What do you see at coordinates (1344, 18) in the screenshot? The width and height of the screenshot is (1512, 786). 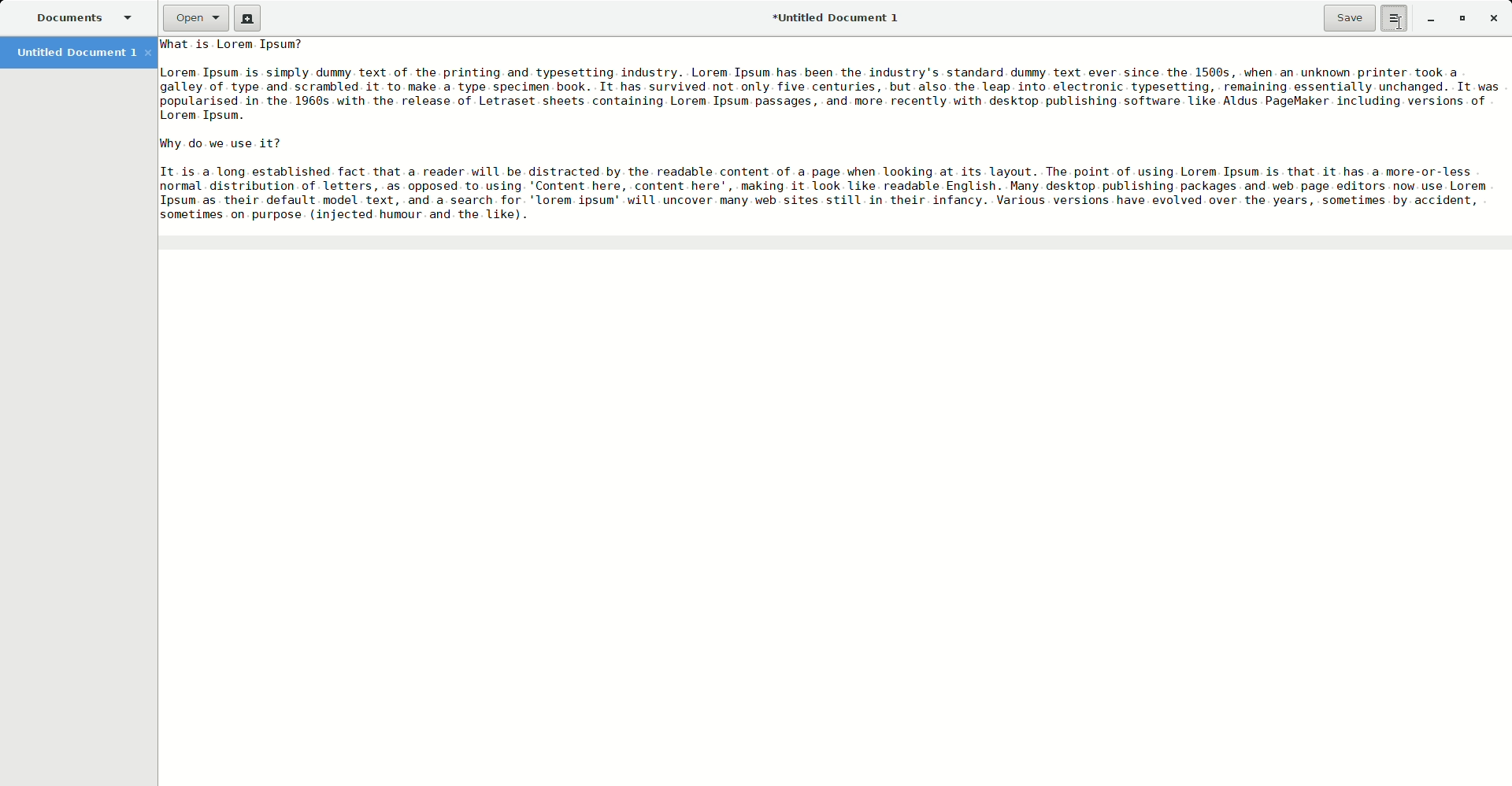 I see `Save` at bounding box center [1344, 18].